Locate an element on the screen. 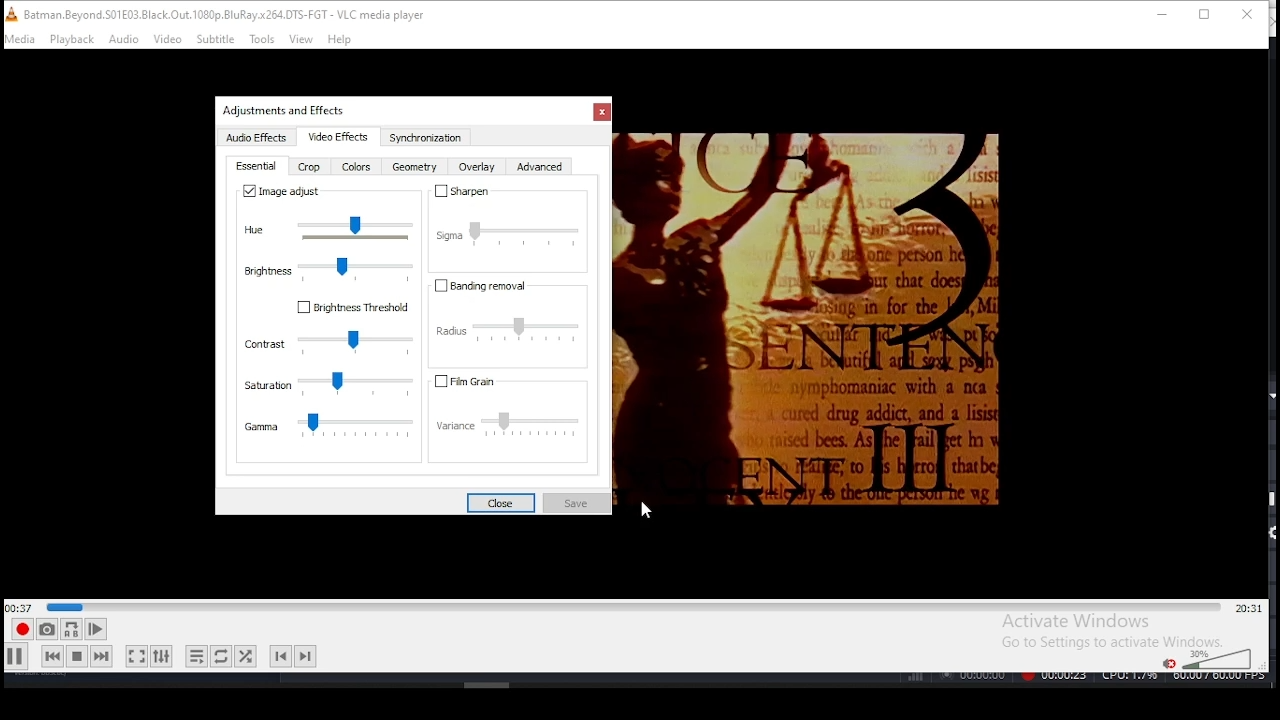 The image size is (1280, 720). hue slider is located at coordinates (331, 228).